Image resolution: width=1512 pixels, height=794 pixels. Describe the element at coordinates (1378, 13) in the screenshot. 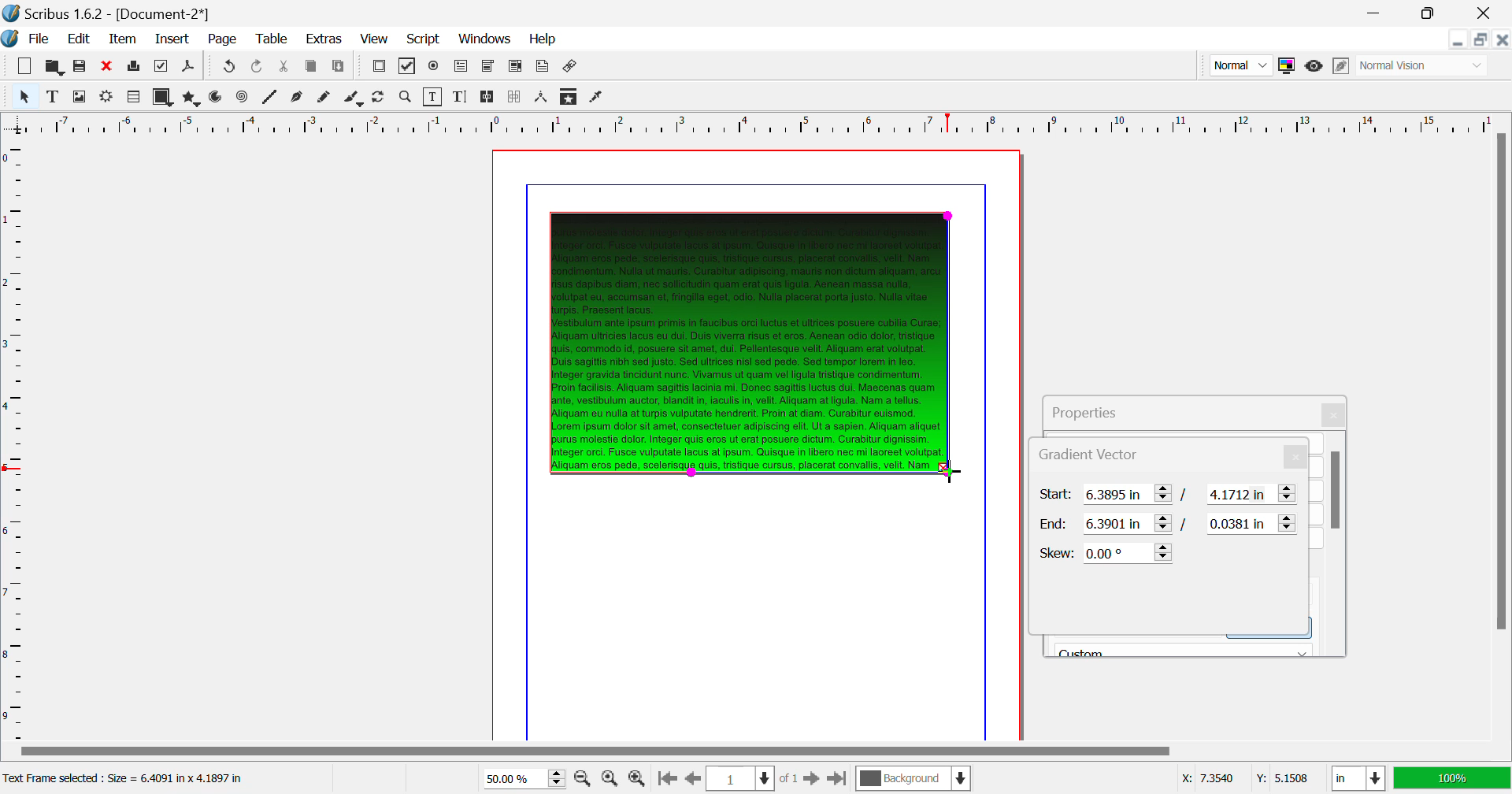

I see `Restore Down` at that location.